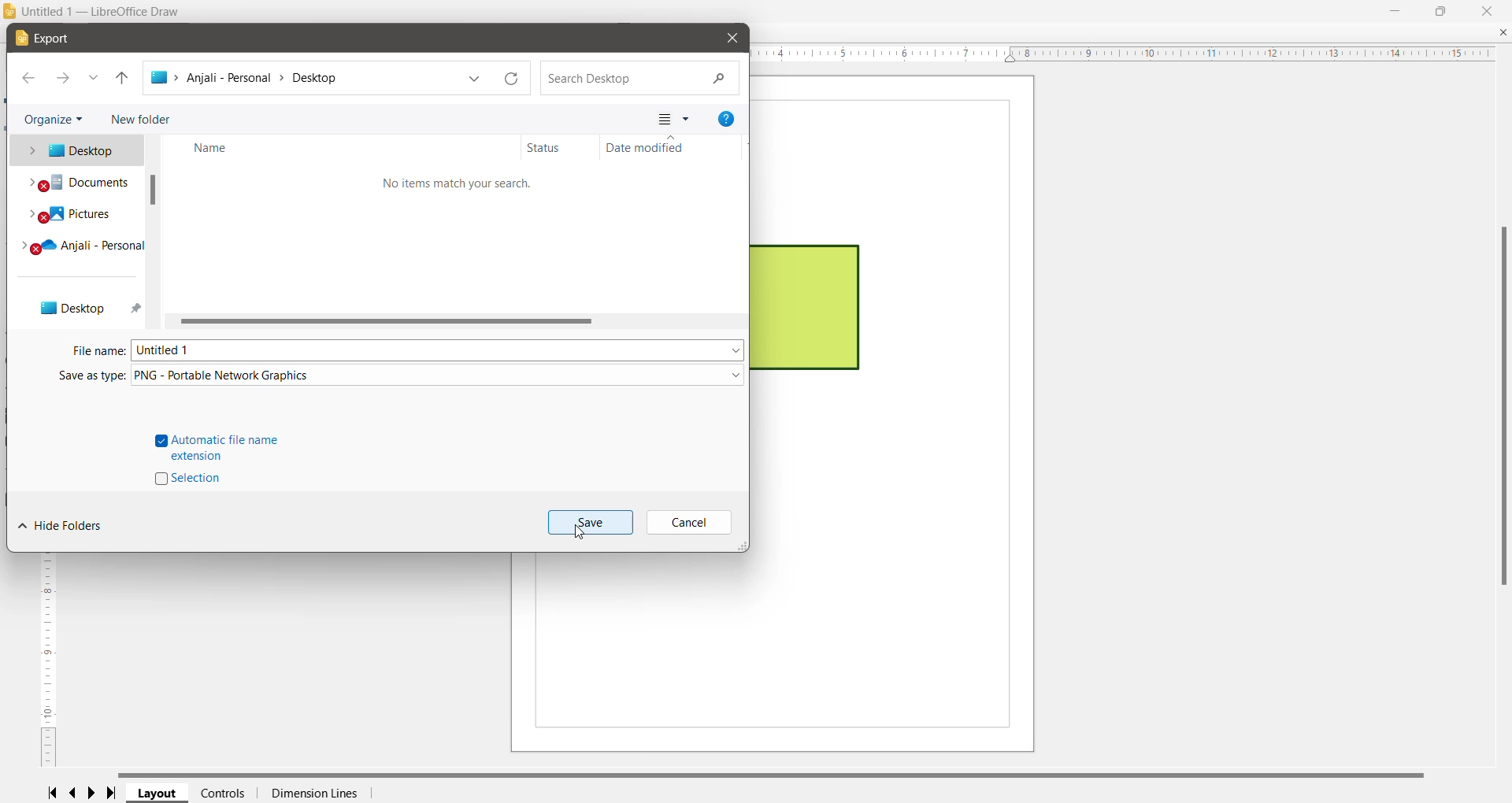 The image size is (1512, 803). What do you see at coordinates (74, 794) in the screenshot?
I see `Scroll to previous page` at bounding box center [74, 794].